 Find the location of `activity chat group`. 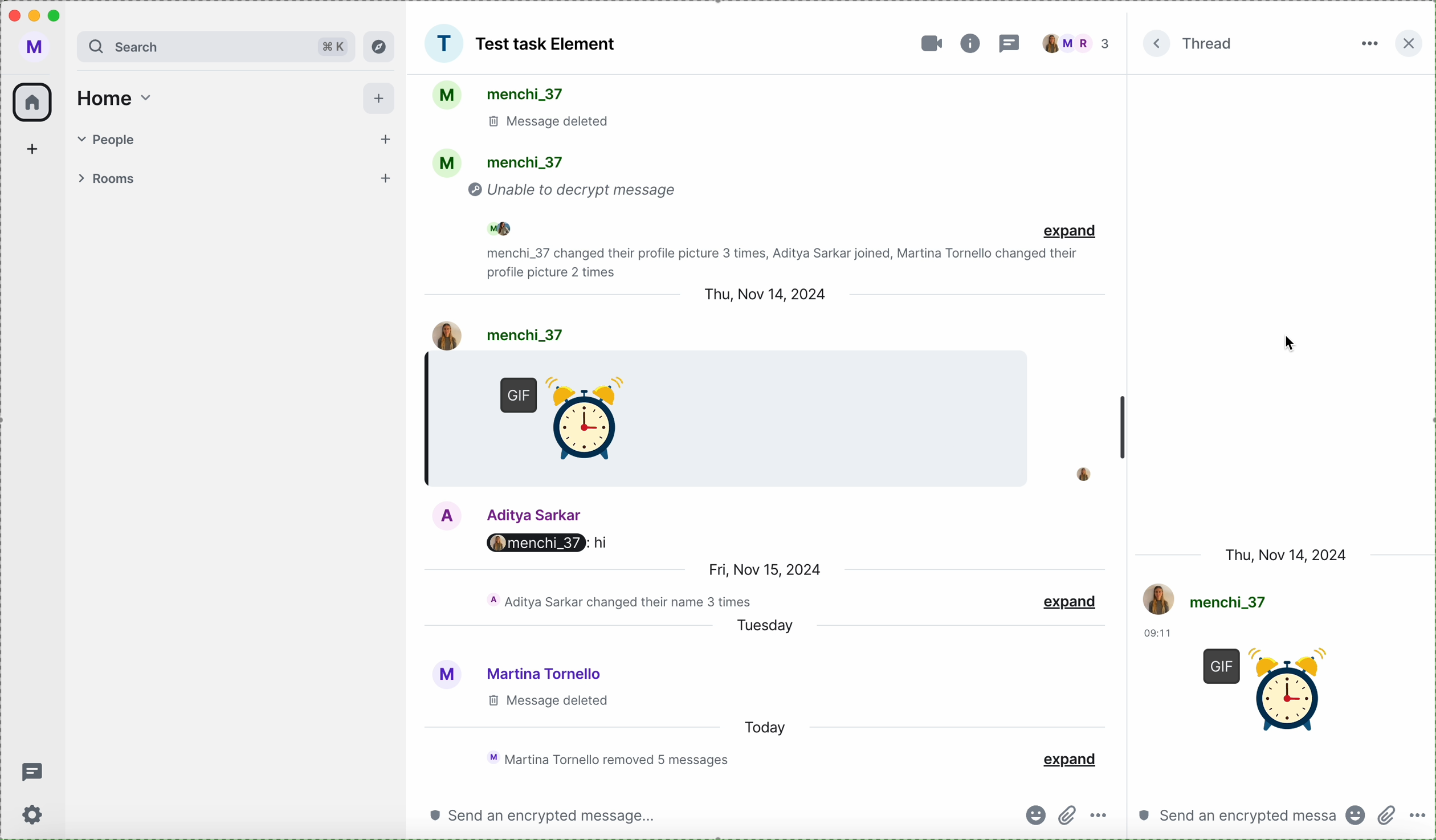

activity chat group is located at coordinates (729, 176).